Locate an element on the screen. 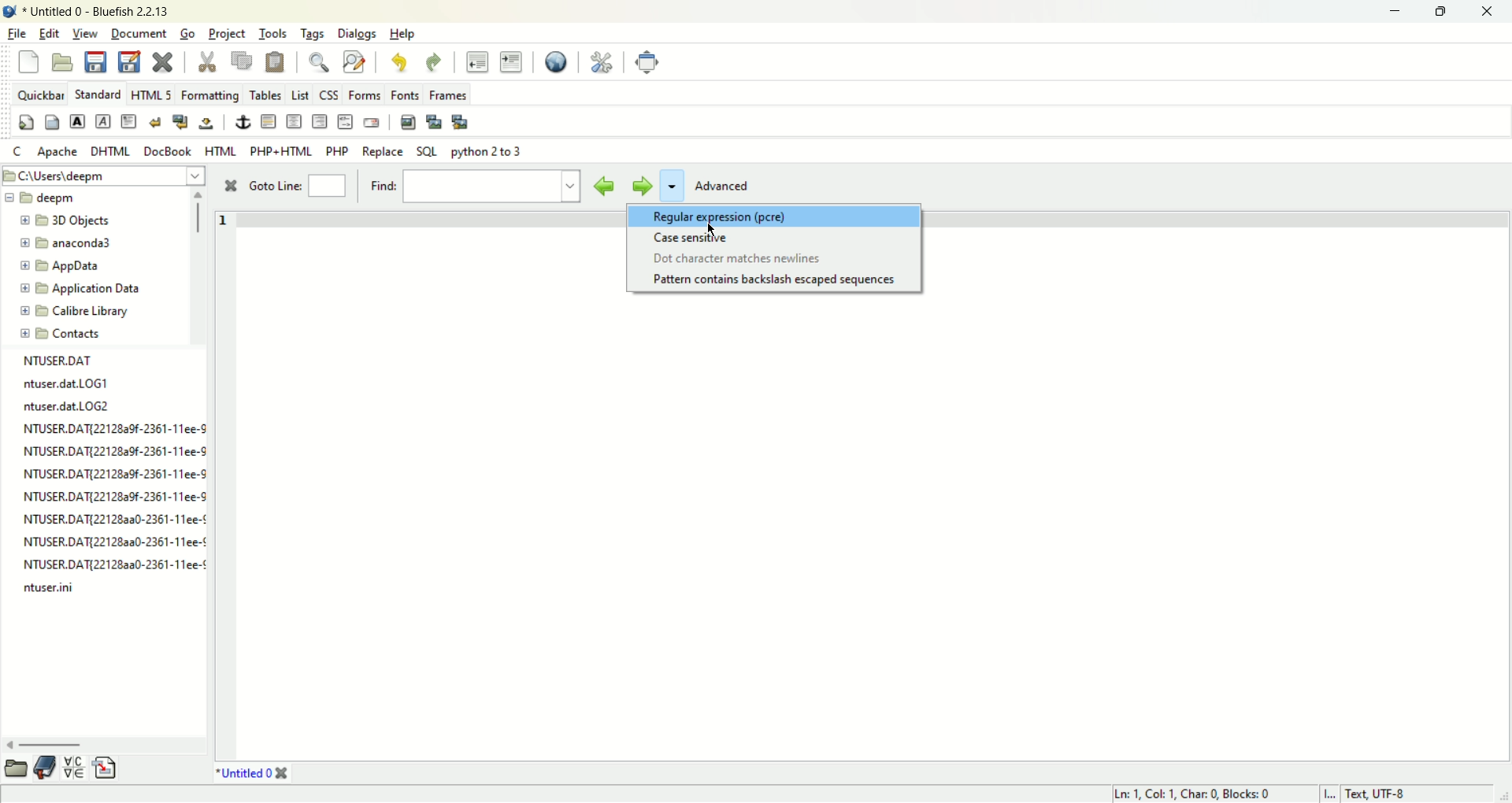  NTUSER.DAT{2212829f-2361-11ee-9 is located at coordinates (117, 429).